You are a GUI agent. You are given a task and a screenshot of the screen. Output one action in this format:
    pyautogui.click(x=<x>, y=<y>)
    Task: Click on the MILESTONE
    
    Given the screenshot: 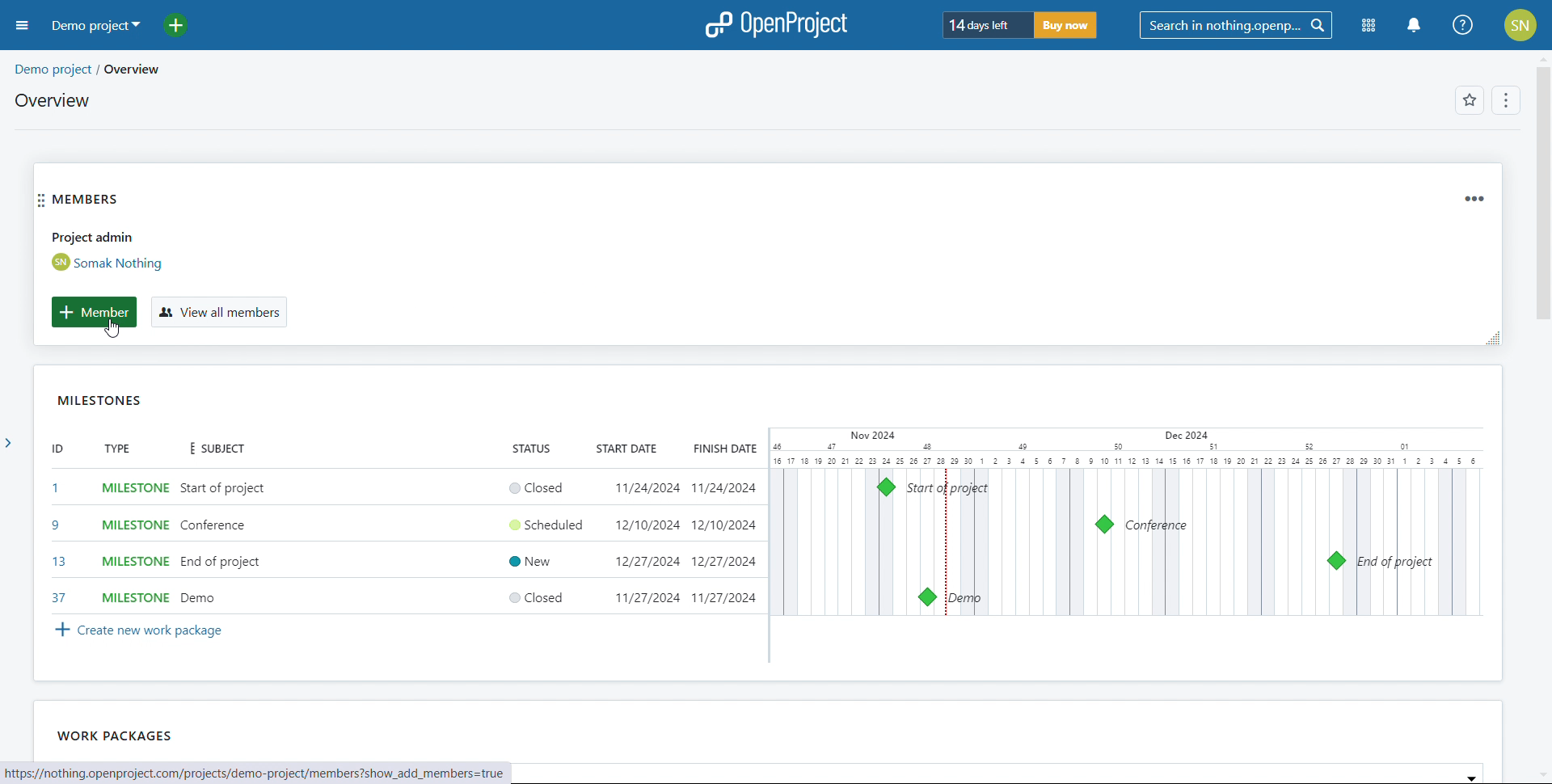 What is the action you would take?
    pyautogui.click(x=133, y=559)
    